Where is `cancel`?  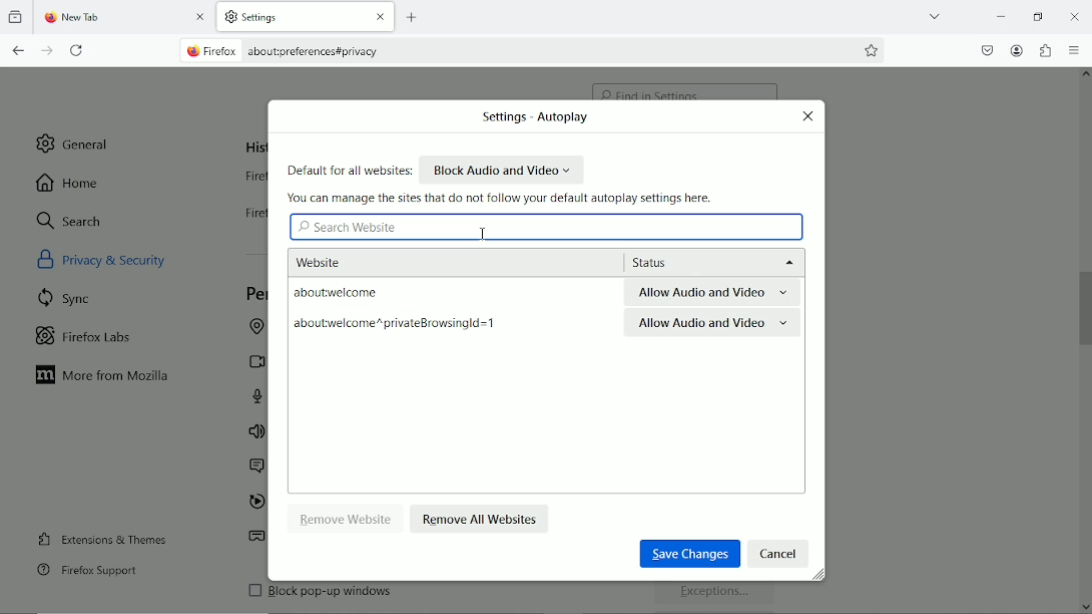 cancel is located at coordinates (779, 553).